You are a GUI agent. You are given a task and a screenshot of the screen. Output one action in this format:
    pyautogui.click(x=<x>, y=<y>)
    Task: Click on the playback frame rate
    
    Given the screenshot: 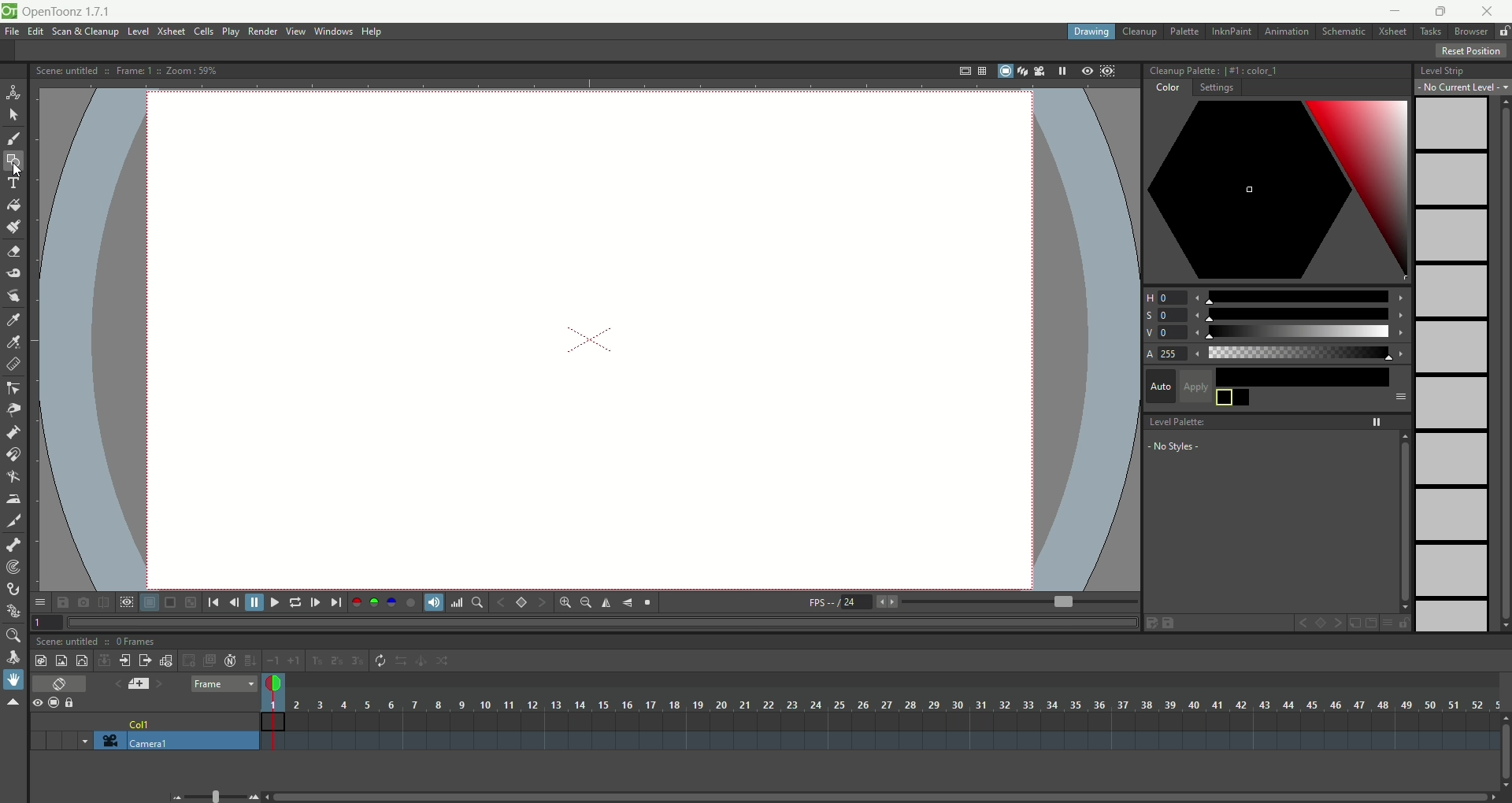 What is the action you would take?
    pyautogui.click(x=856, y=605)
    